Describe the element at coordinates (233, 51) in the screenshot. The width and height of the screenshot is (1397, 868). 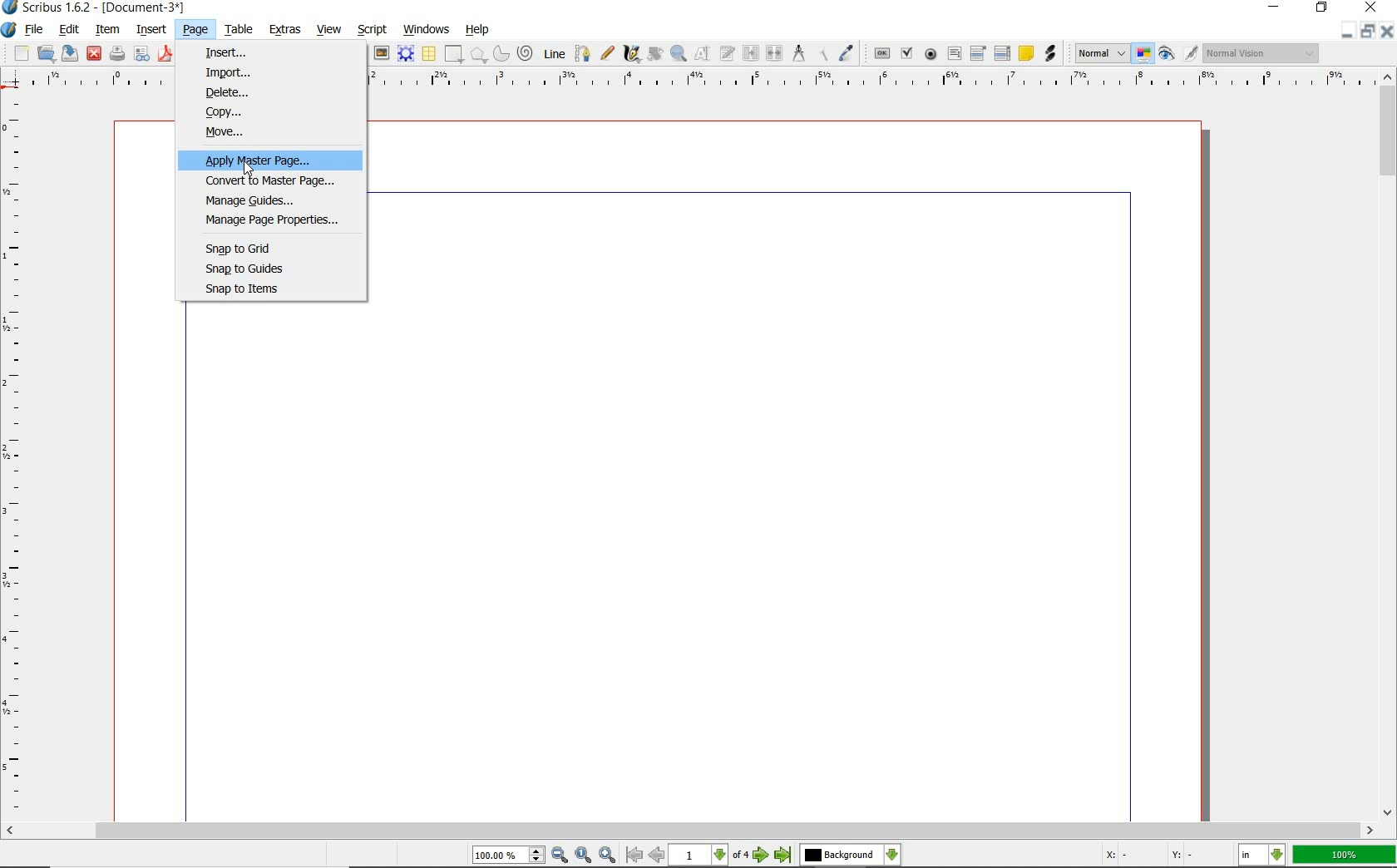
I see `insert` at that location.